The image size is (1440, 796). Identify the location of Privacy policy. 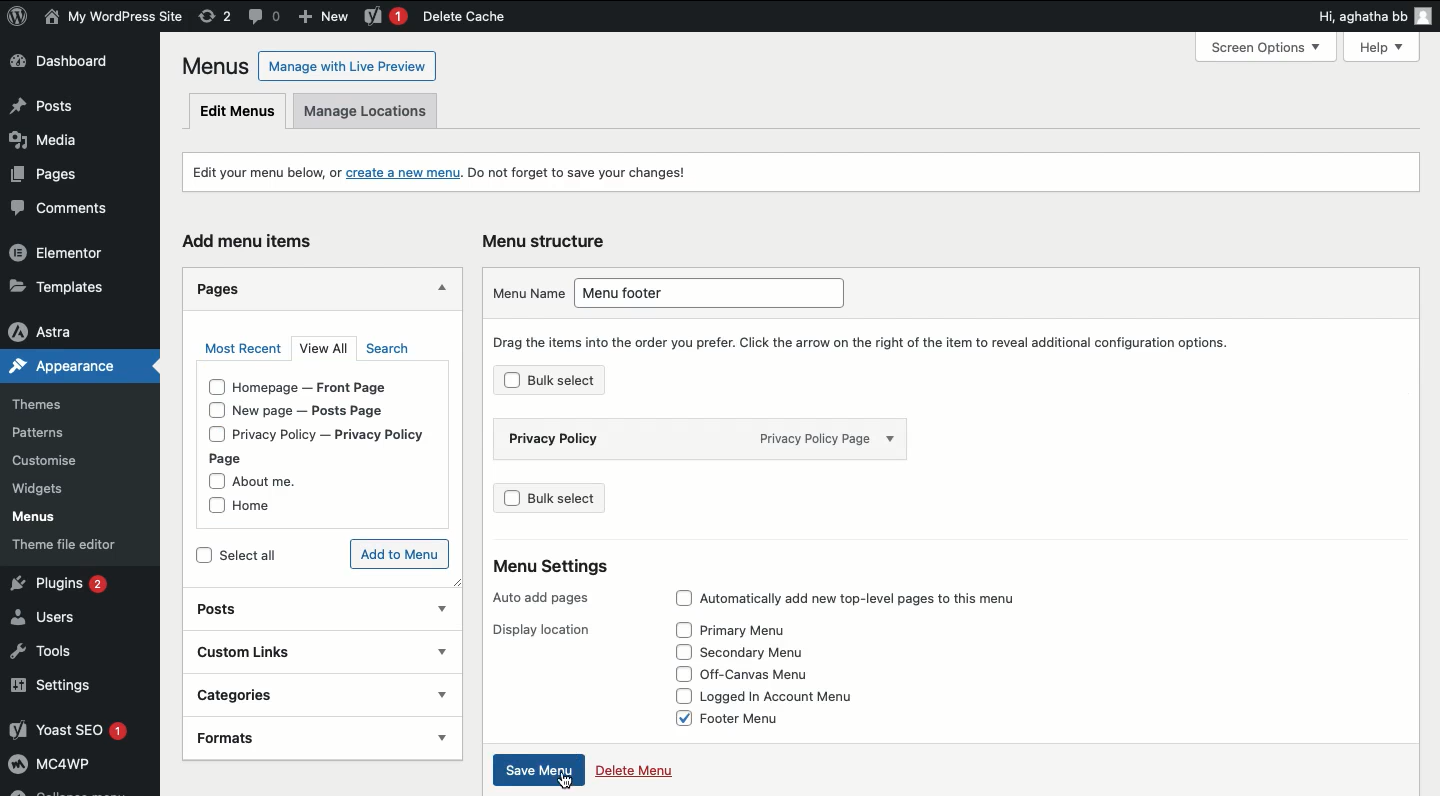
(604, 439).